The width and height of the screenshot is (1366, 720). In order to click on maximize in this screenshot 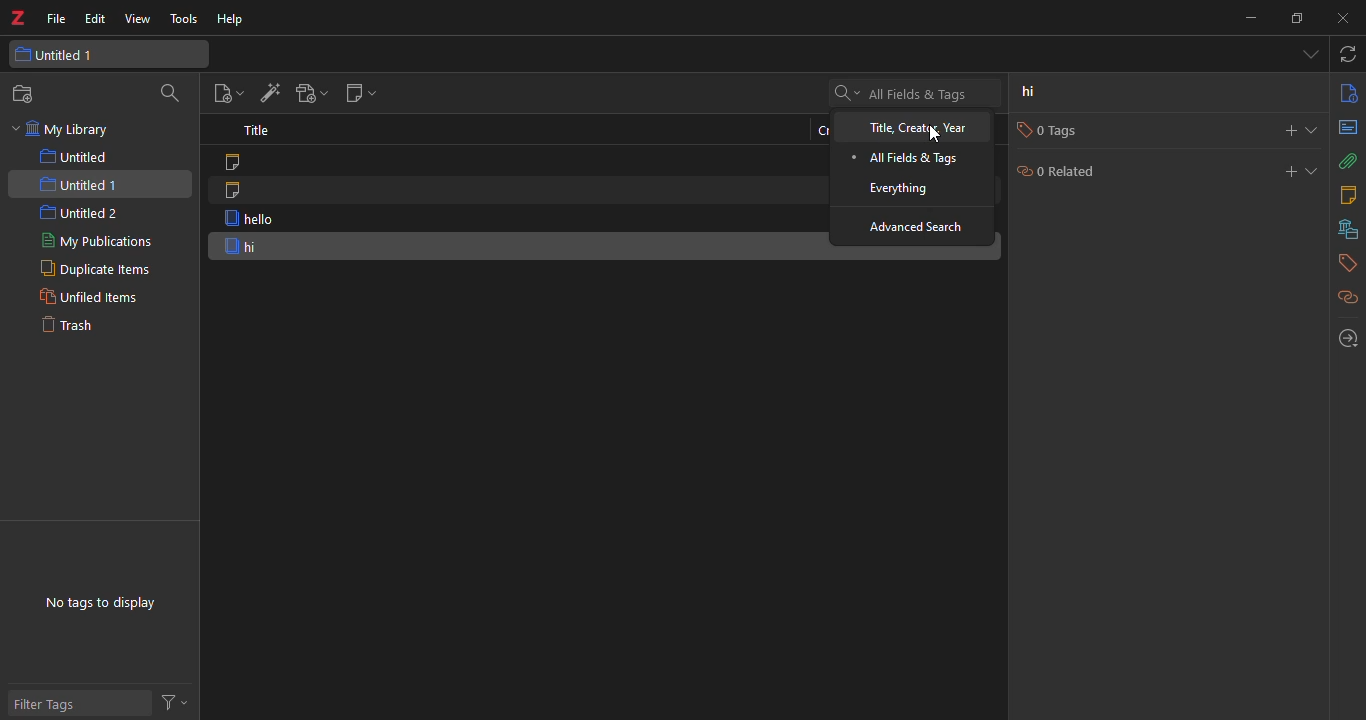, I will do `click(1295, 19)`.